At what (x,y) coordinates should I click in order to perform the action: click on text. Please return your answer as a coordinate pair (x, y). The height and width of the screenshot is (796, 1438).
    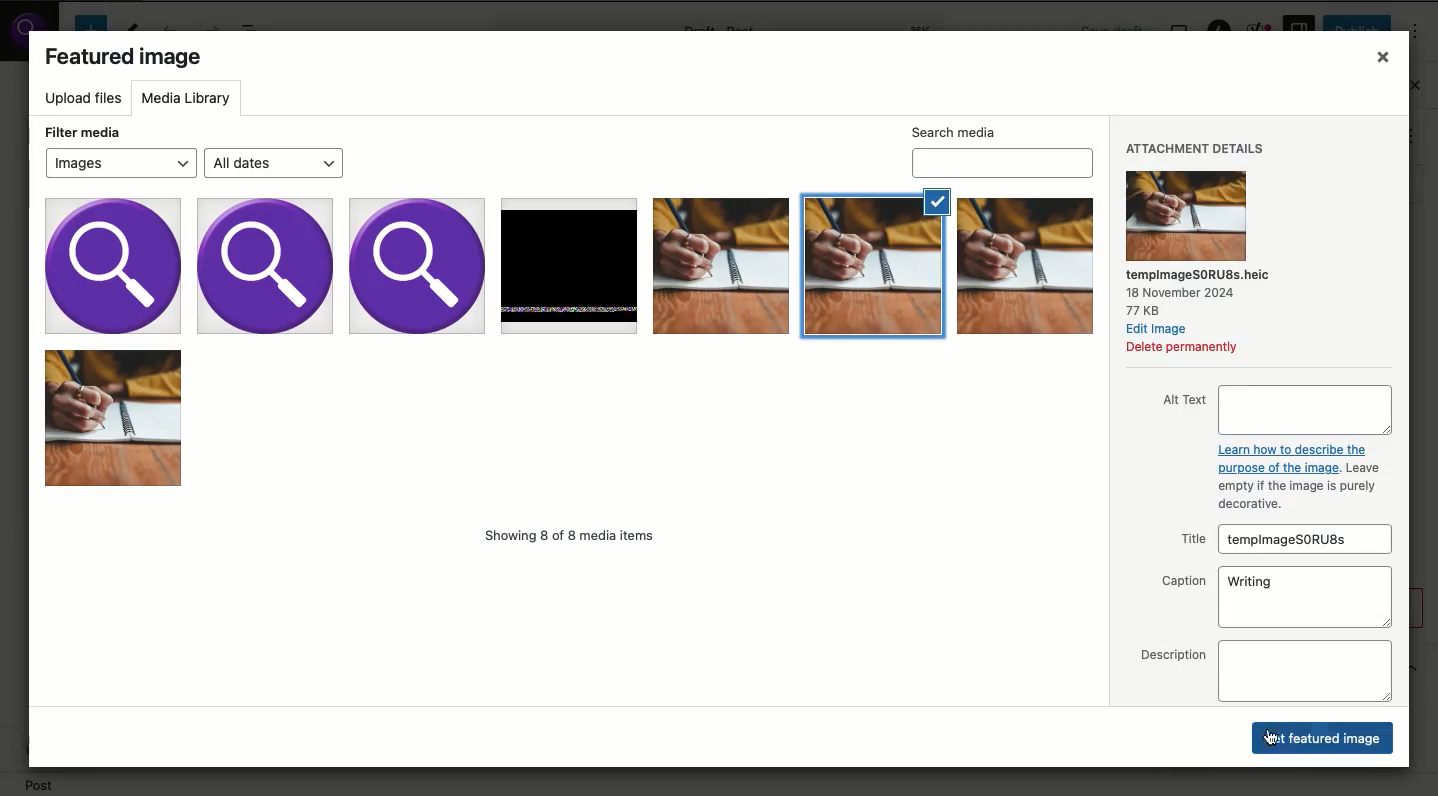
    Looking at the image, I should click on (1173, 654).